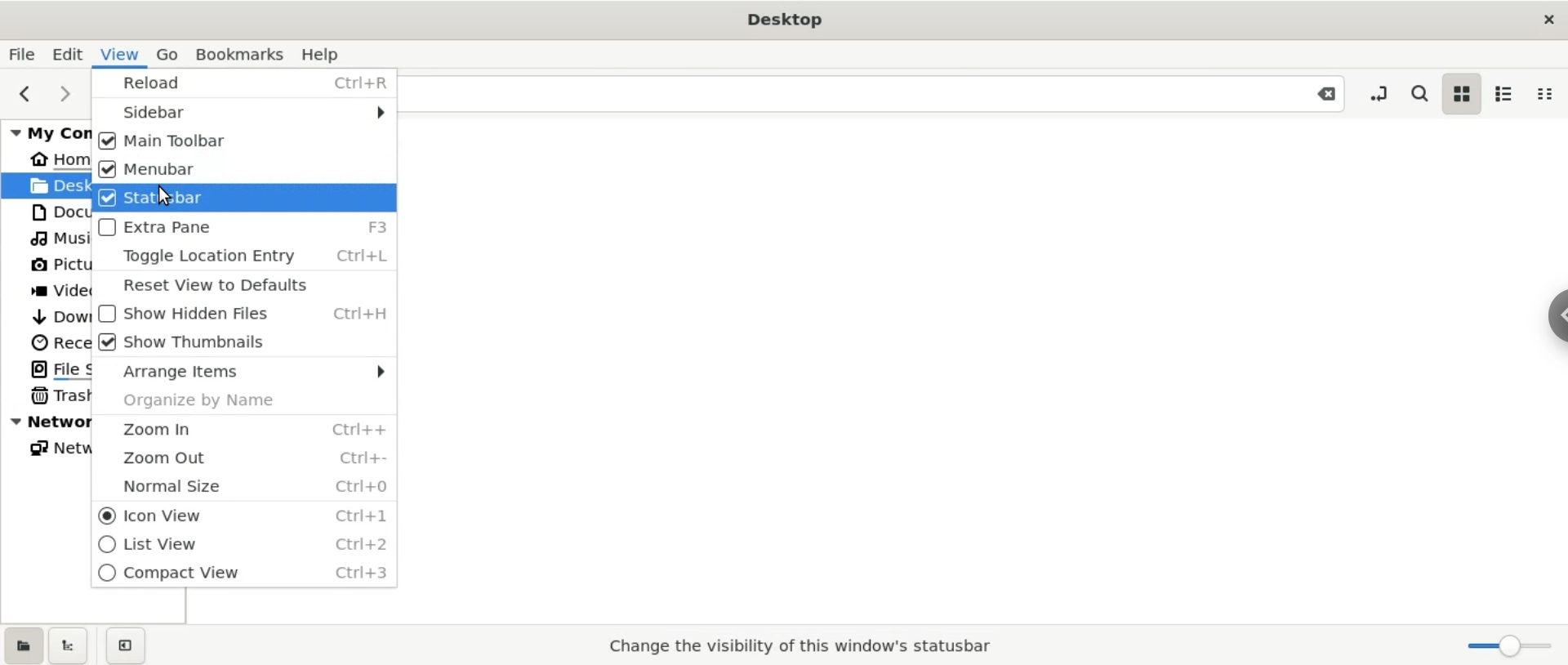  I want to click on next, so click(65, 92).